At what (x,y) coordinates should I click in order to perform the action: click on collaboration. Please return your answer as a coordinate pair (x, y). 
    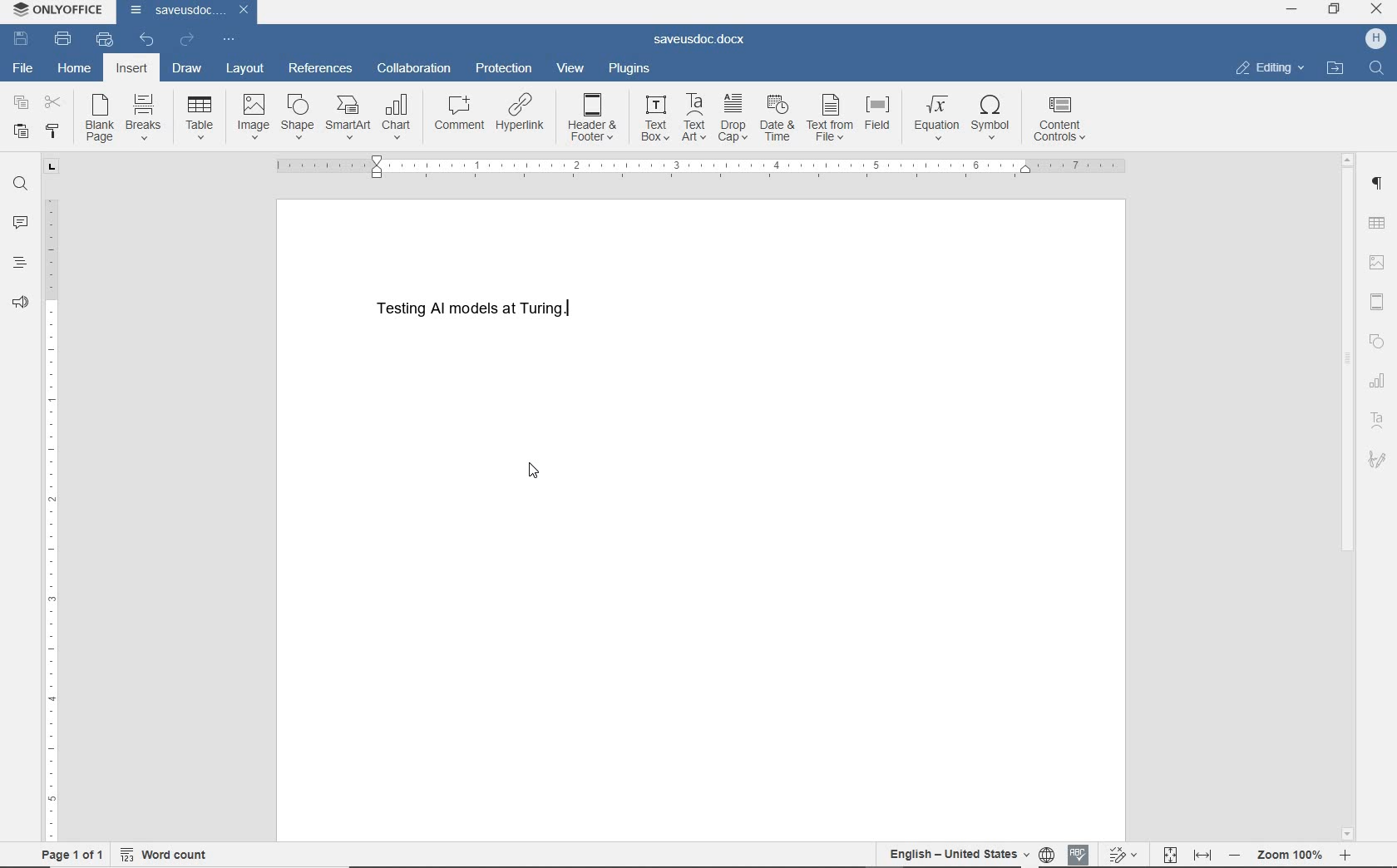
    Looking at the image, I should click on (415, 69).